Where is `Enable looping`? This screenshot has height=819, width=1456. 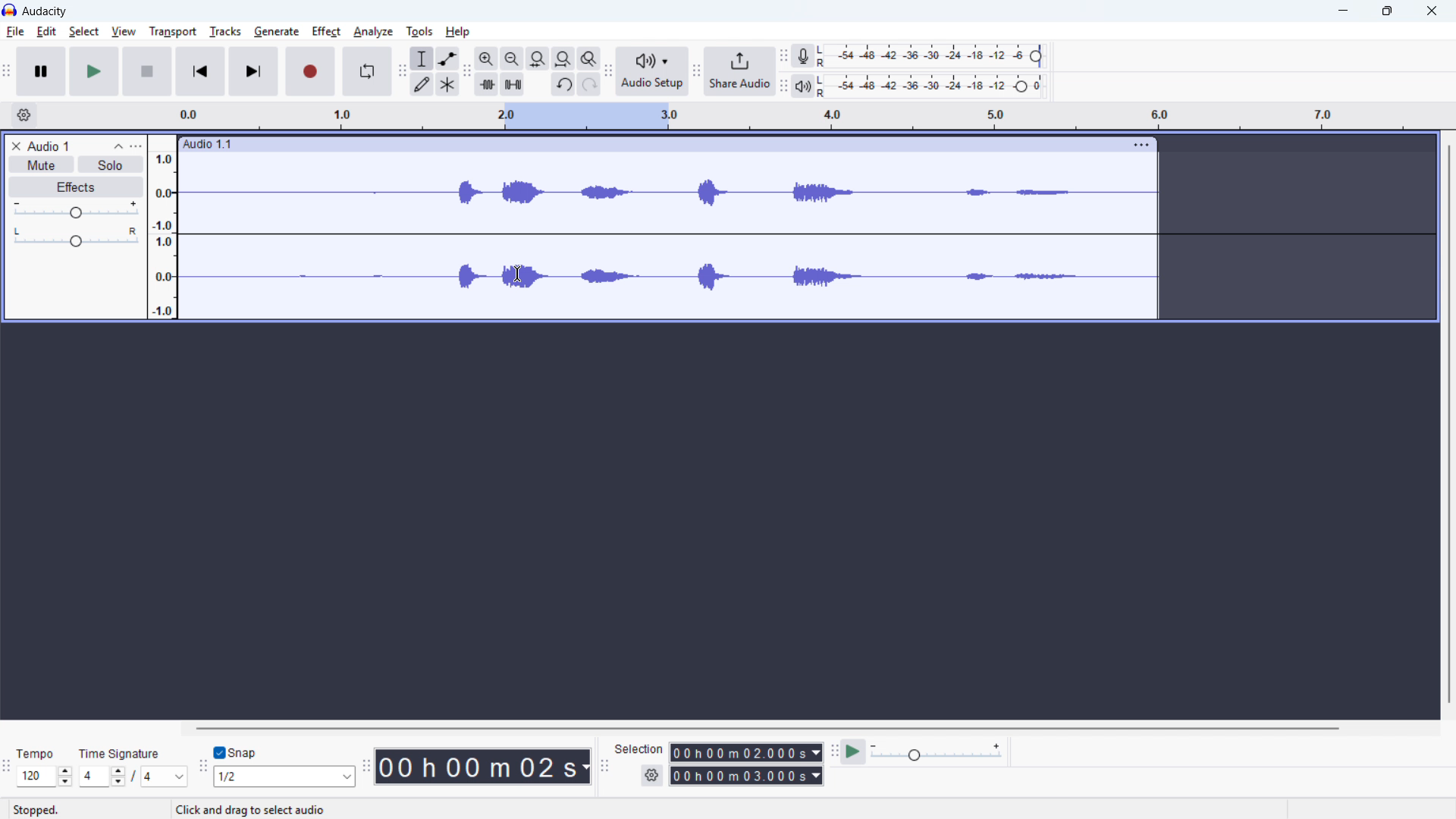 Enable looping is located at coordinates (368, 71).